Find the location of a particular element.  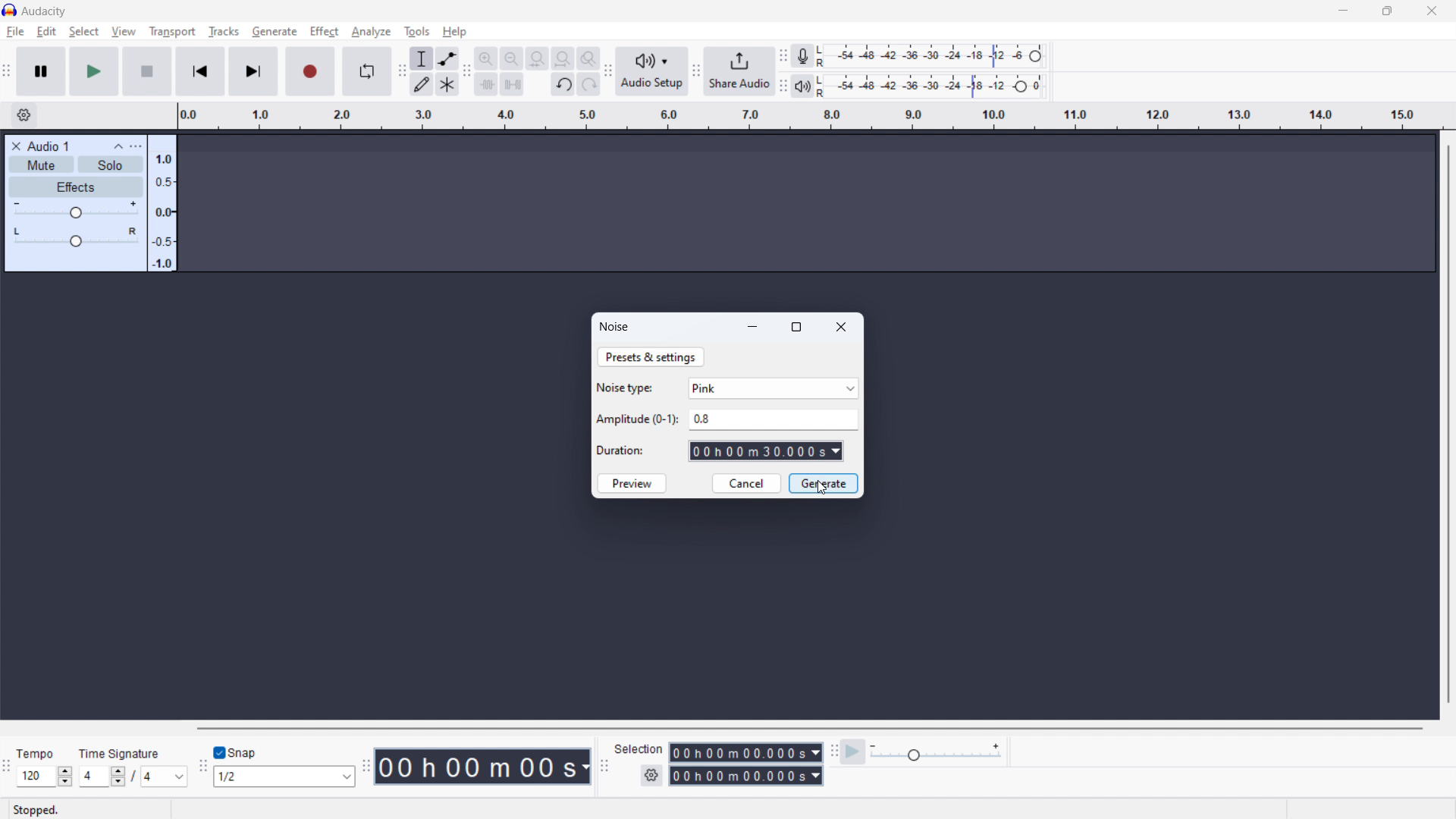

select snapping is located at coordinates (286, 777).